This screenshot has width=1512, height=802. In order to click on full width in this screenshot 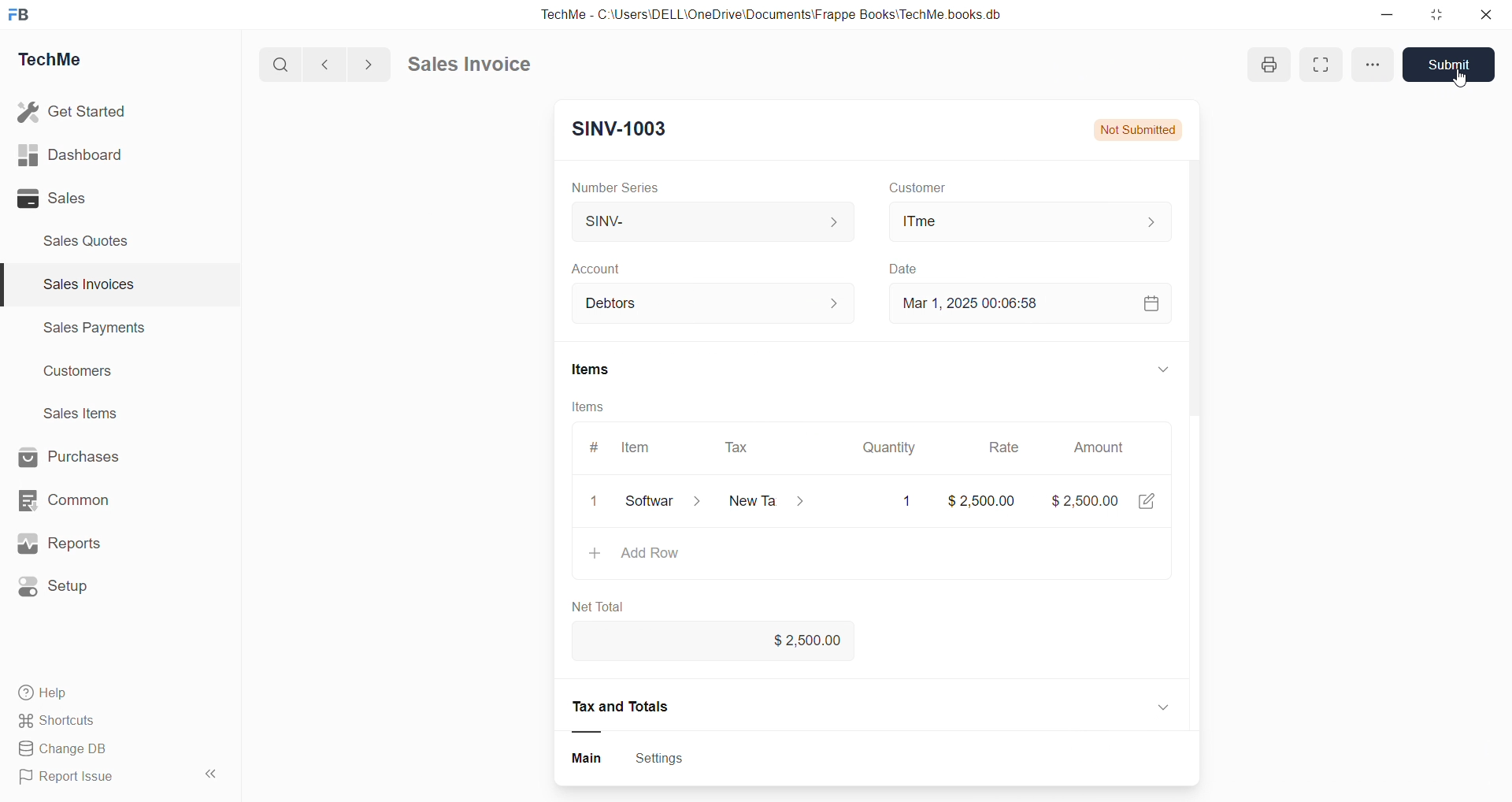, I will do `click(1326, 63)`.